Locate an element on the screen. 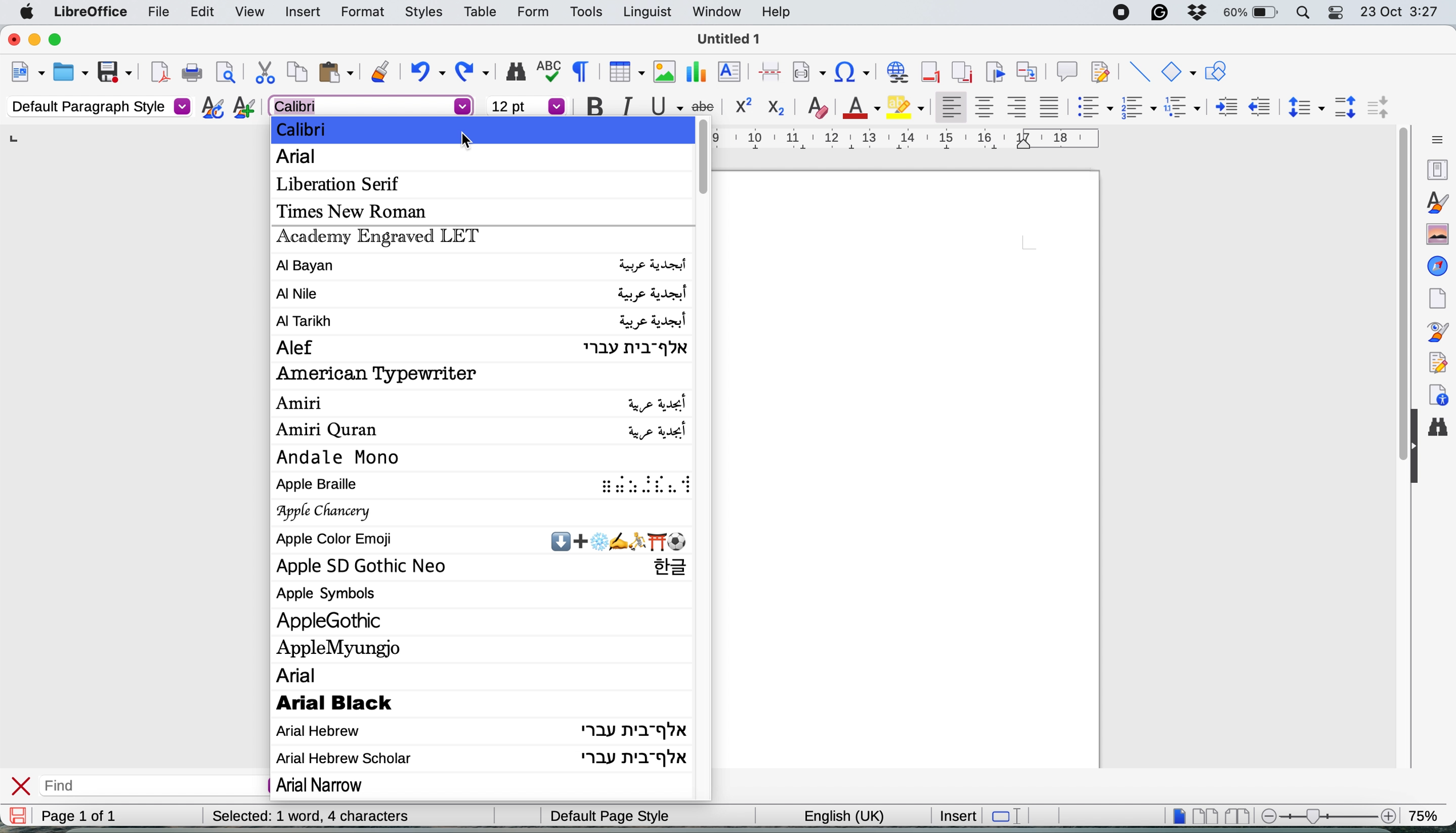 The width and height of the screenshot is (1456, 833). insert chart is located at coordinates (695, 70).